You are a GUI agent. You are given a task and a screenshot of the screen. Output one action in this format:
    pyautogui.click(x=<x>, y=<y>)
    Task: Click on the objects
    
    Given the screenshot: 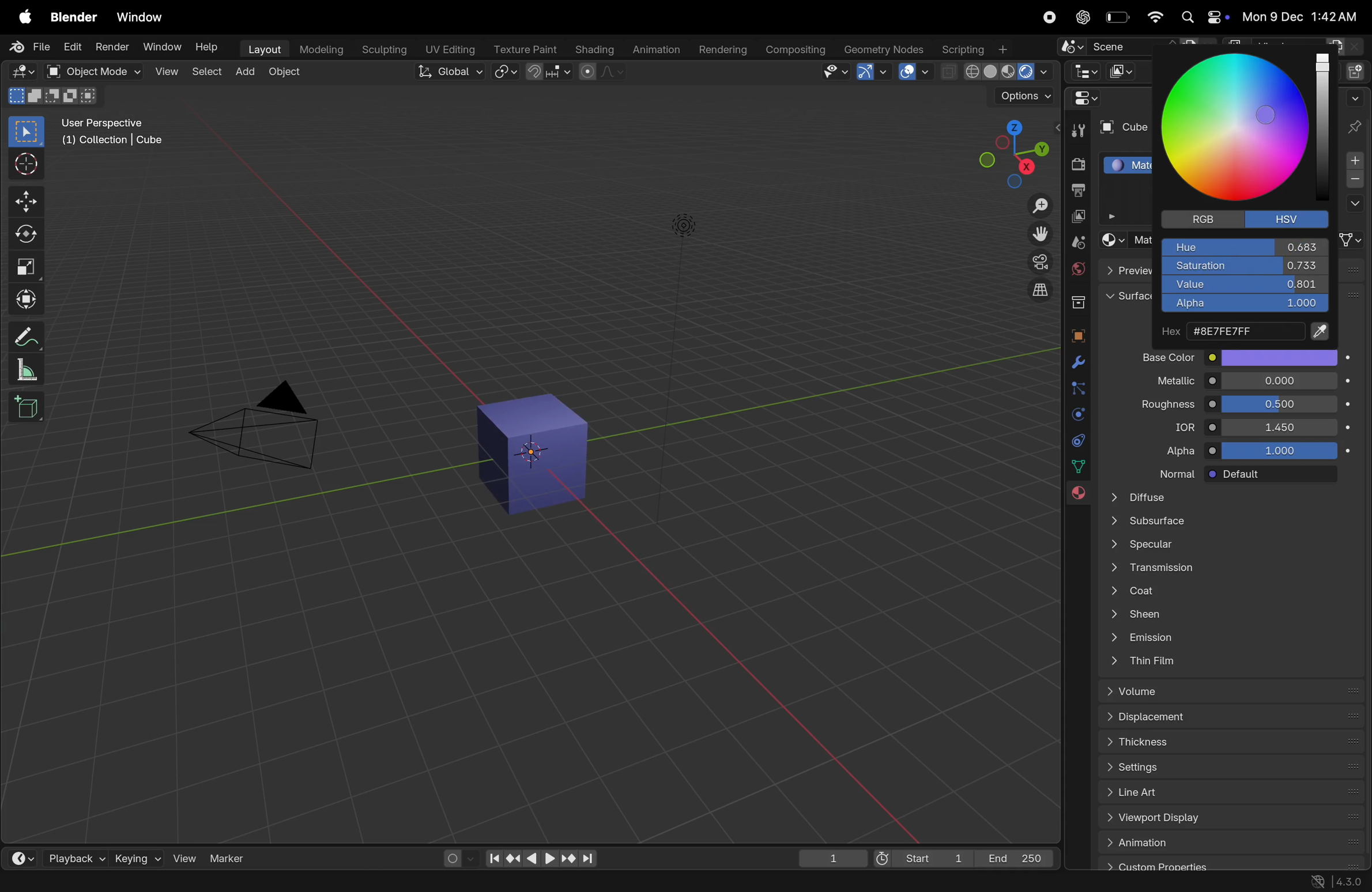 What is the action you would take?
    pyautogui.click(x=1075, y=333)
    